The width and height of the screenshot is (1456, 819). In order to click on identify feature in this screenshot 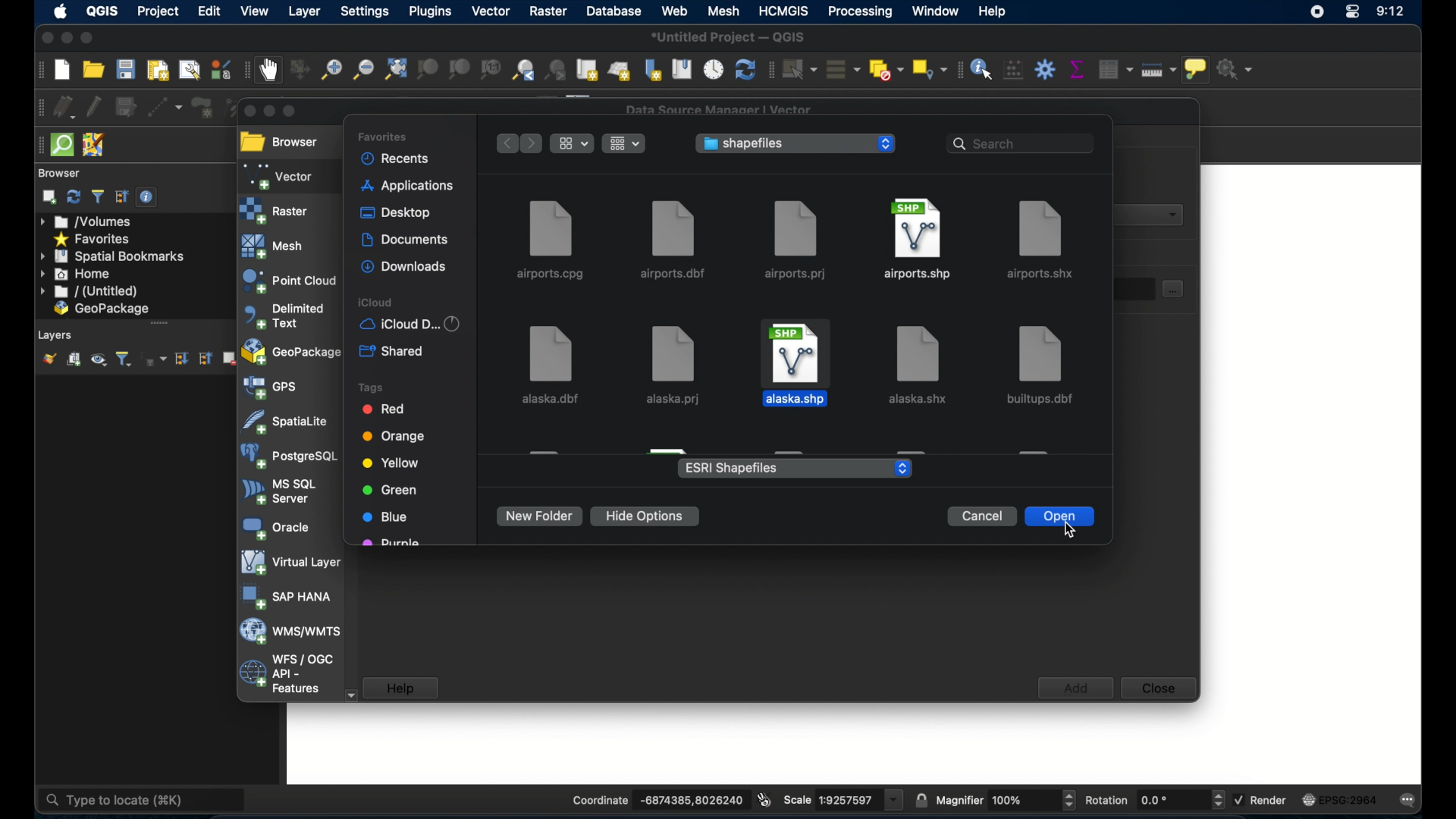, I will do `click(981, 69)`.